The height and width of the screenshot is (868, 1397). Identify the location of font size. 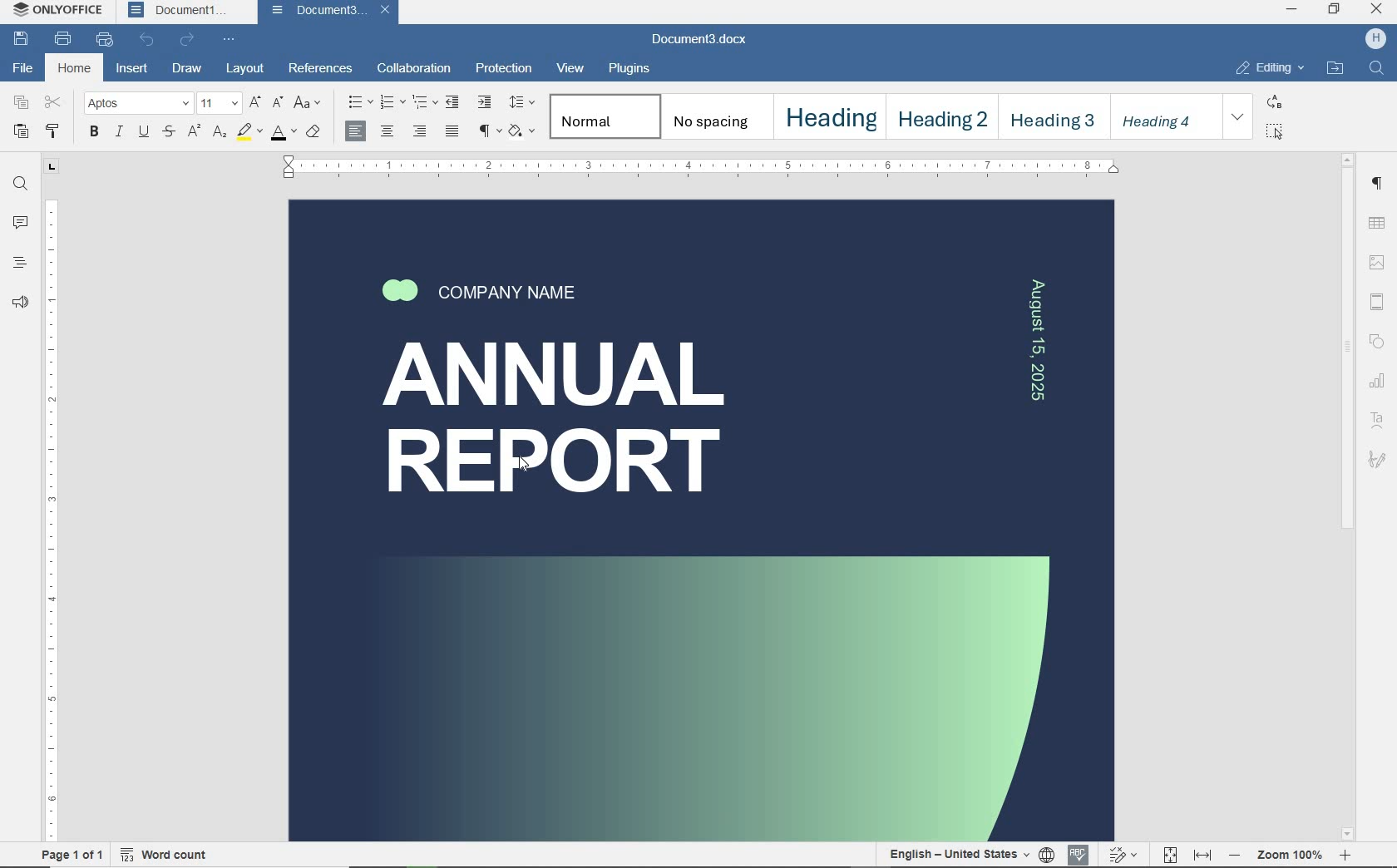
(220, 104).